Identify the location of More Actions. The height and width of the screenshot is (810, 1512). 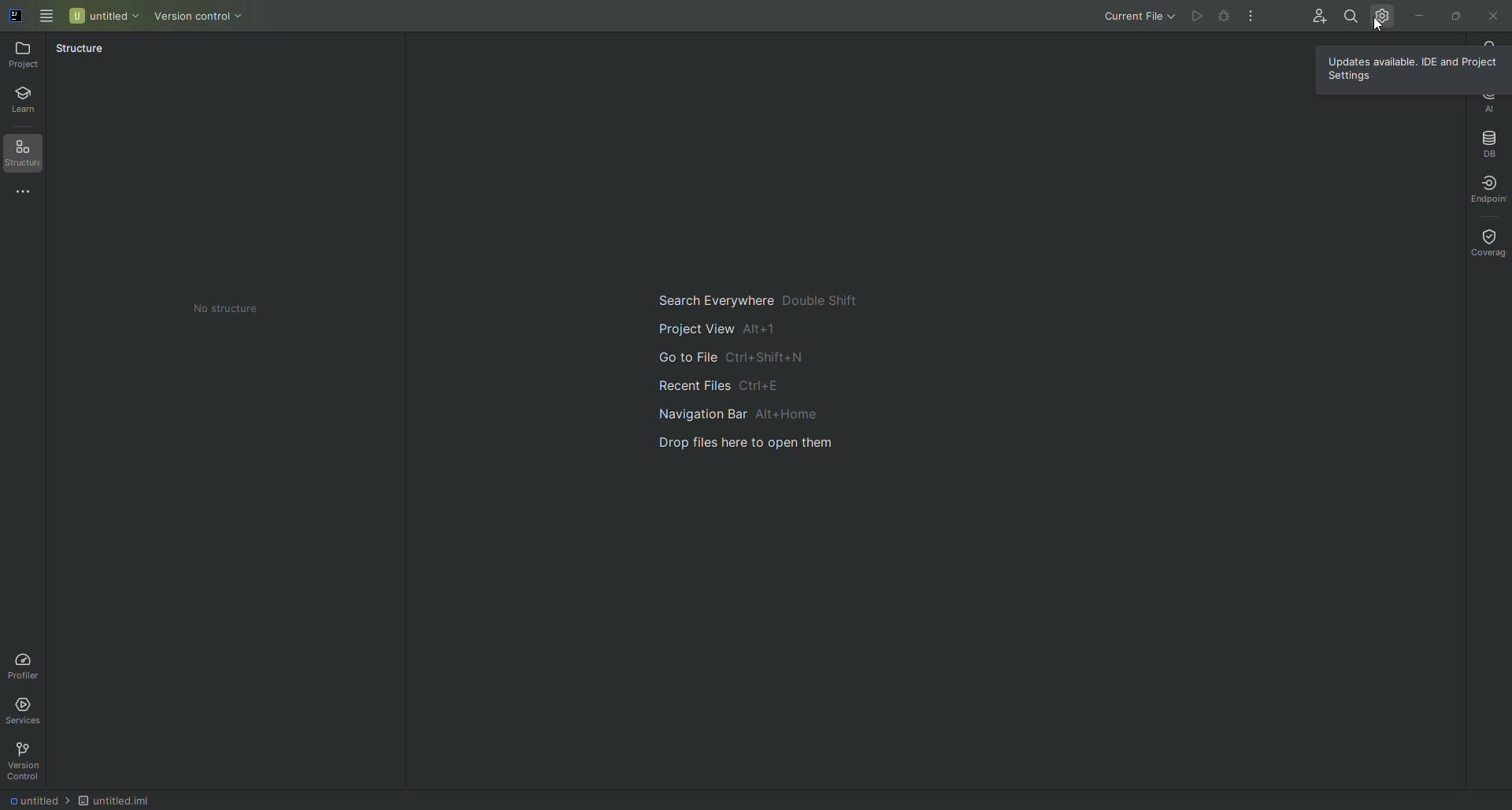
(1252, 17).